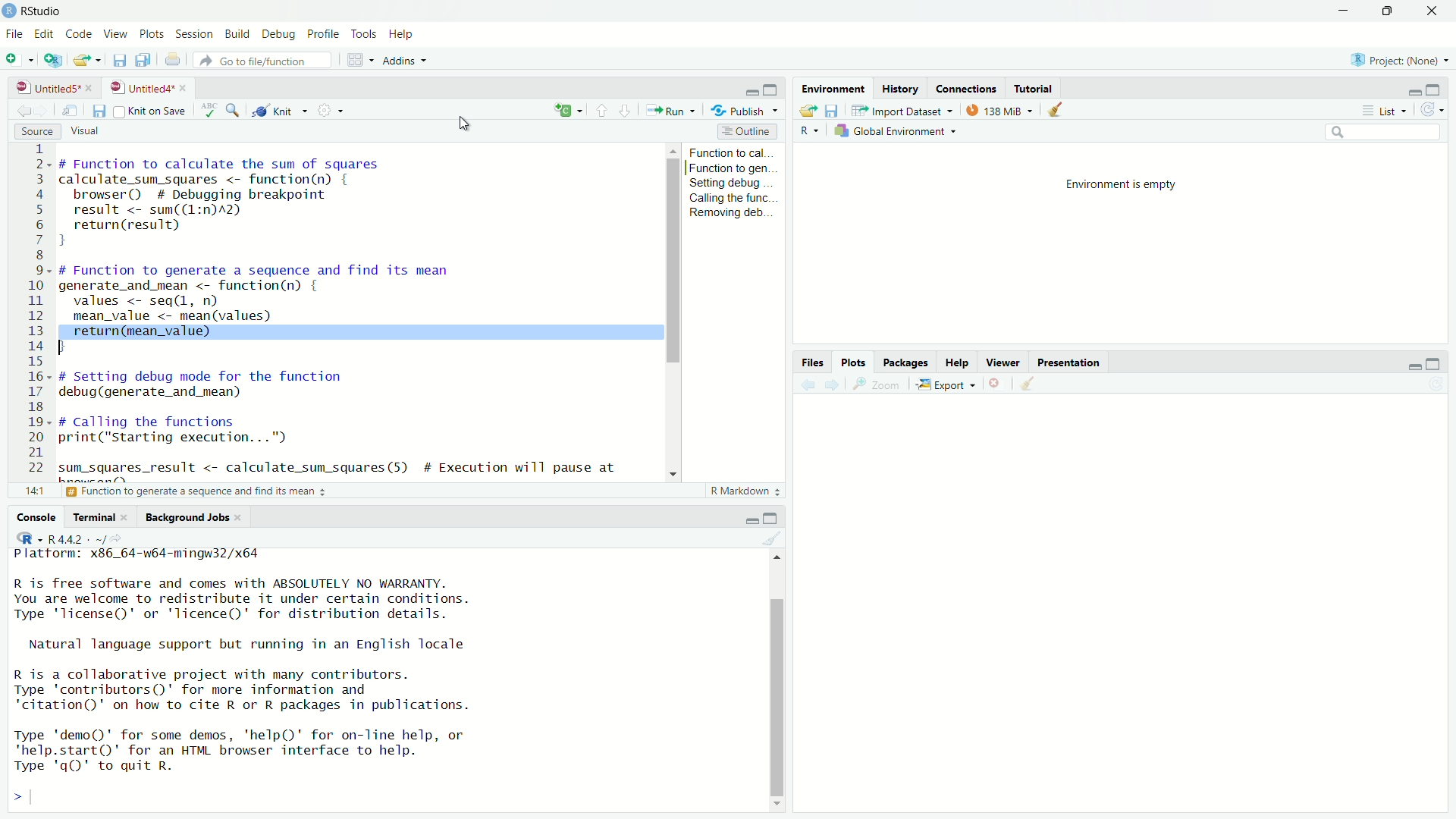  What do you see at coordinates (187, 88) in the screenshot?
I see `close` at bounding box center [187, 88].